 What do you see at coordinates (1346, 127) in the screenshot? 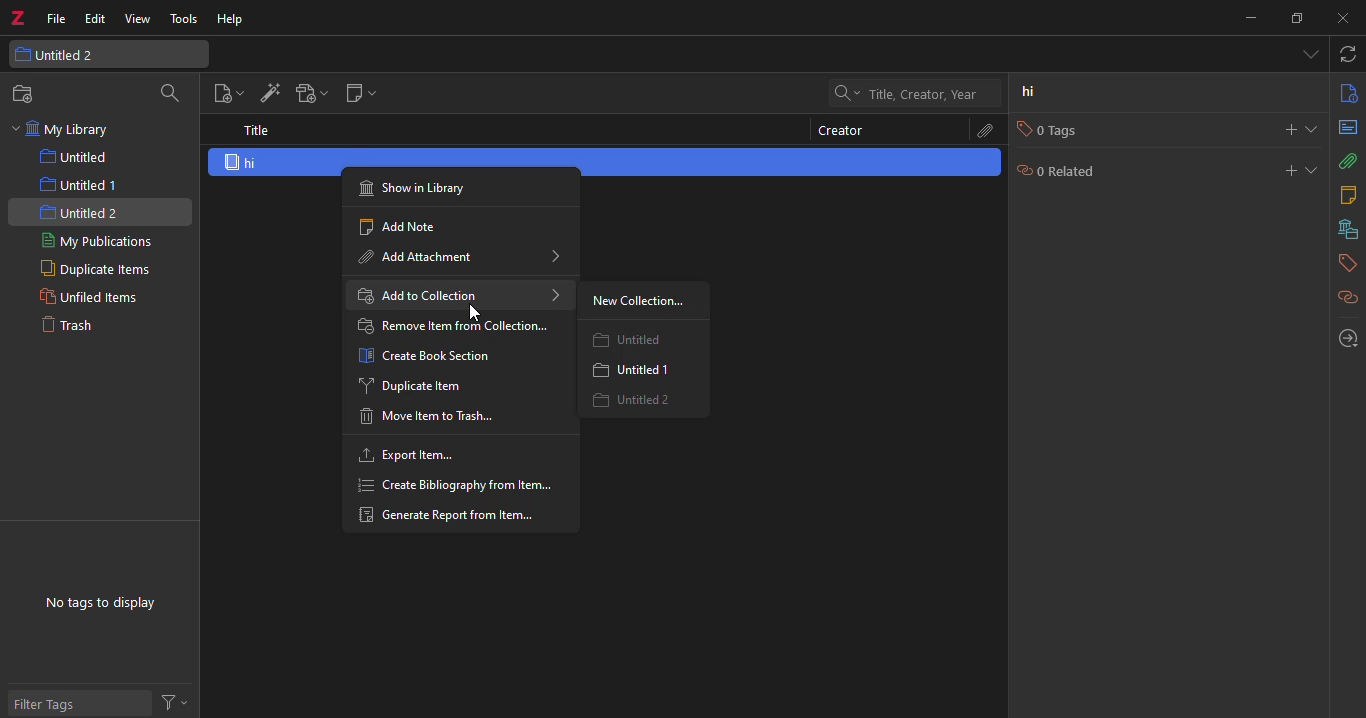
I see `abstract` at bounding box center [1346, 127].